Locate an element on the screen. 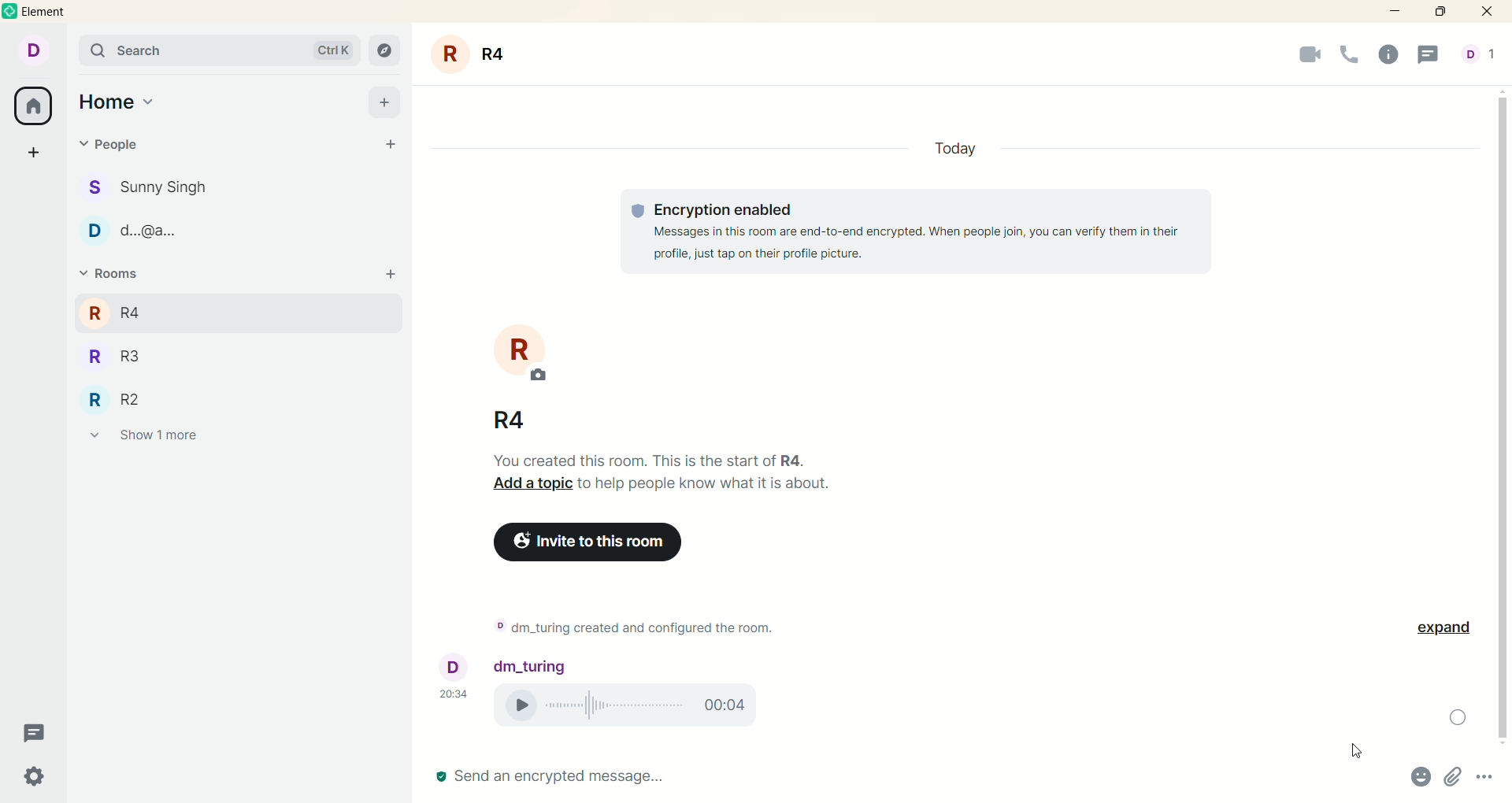 Image resolution: width=1512 pixels, height=803 pixels. all rooms is located at coordinates (34, 108).